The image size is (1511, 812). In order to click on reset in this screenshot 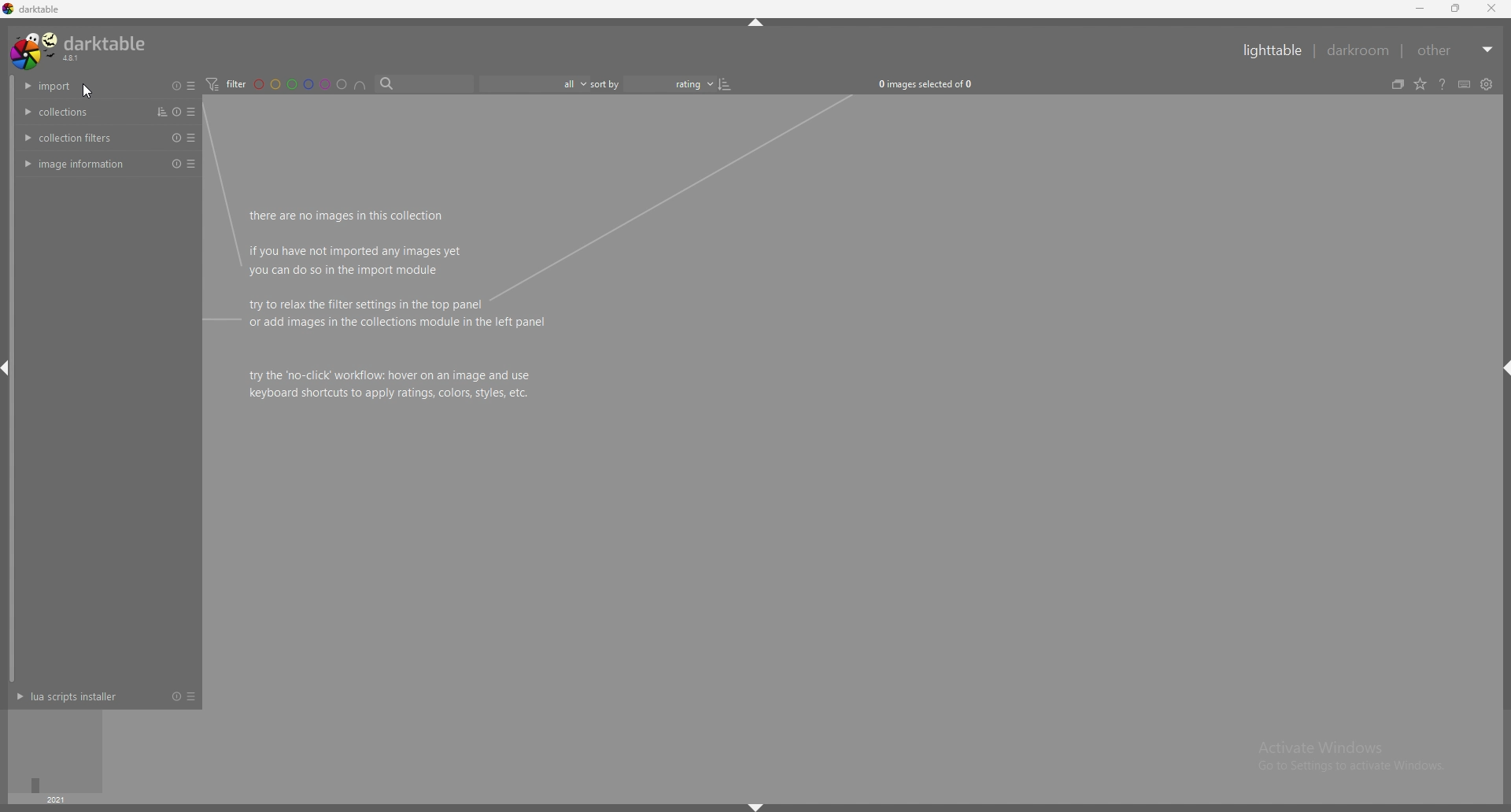, I will do `click(175, 164)`.